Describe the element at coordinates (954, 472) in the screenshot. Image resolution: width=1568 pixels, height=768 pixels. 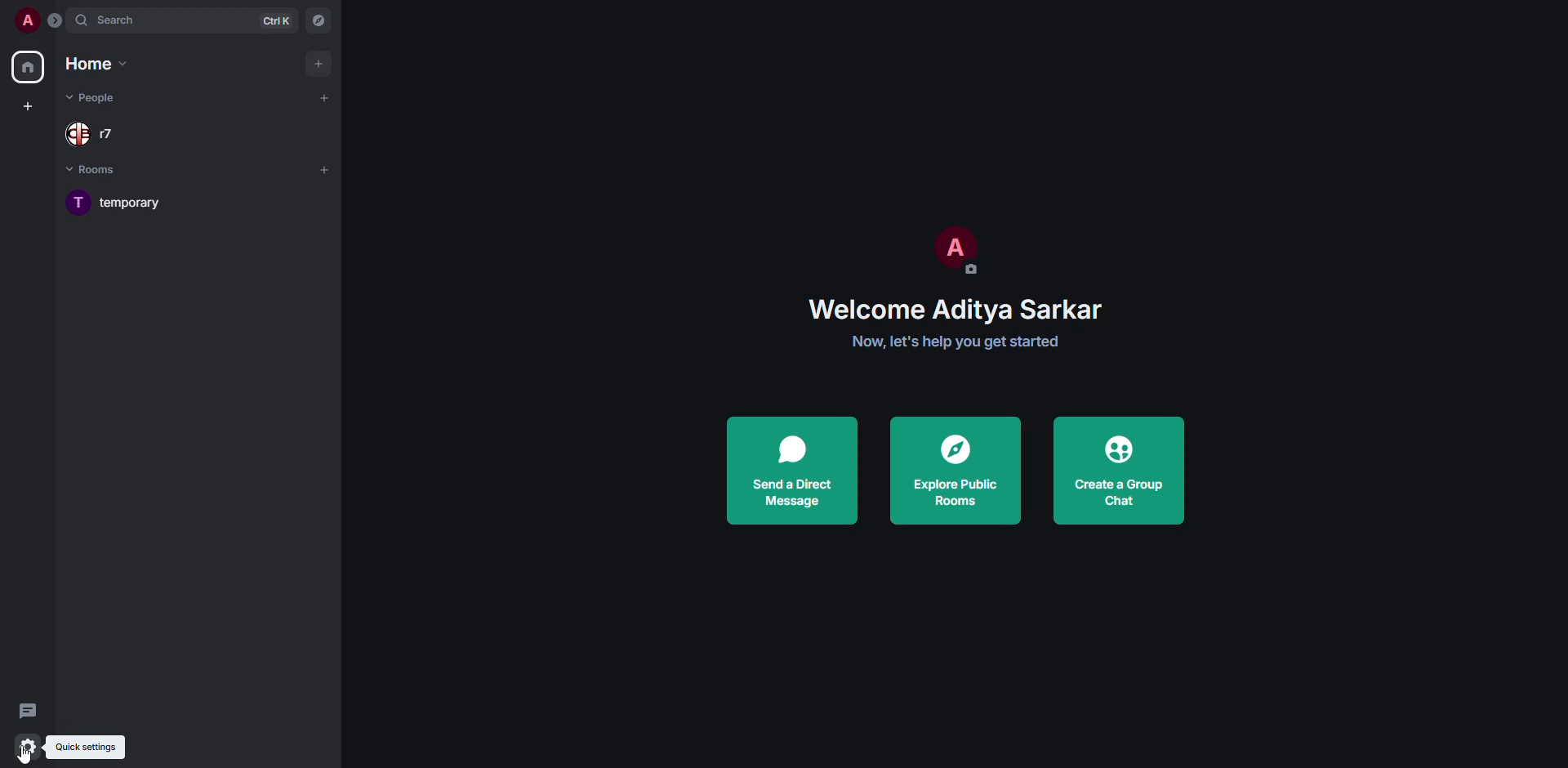
I see `explore public rooms` at that location.